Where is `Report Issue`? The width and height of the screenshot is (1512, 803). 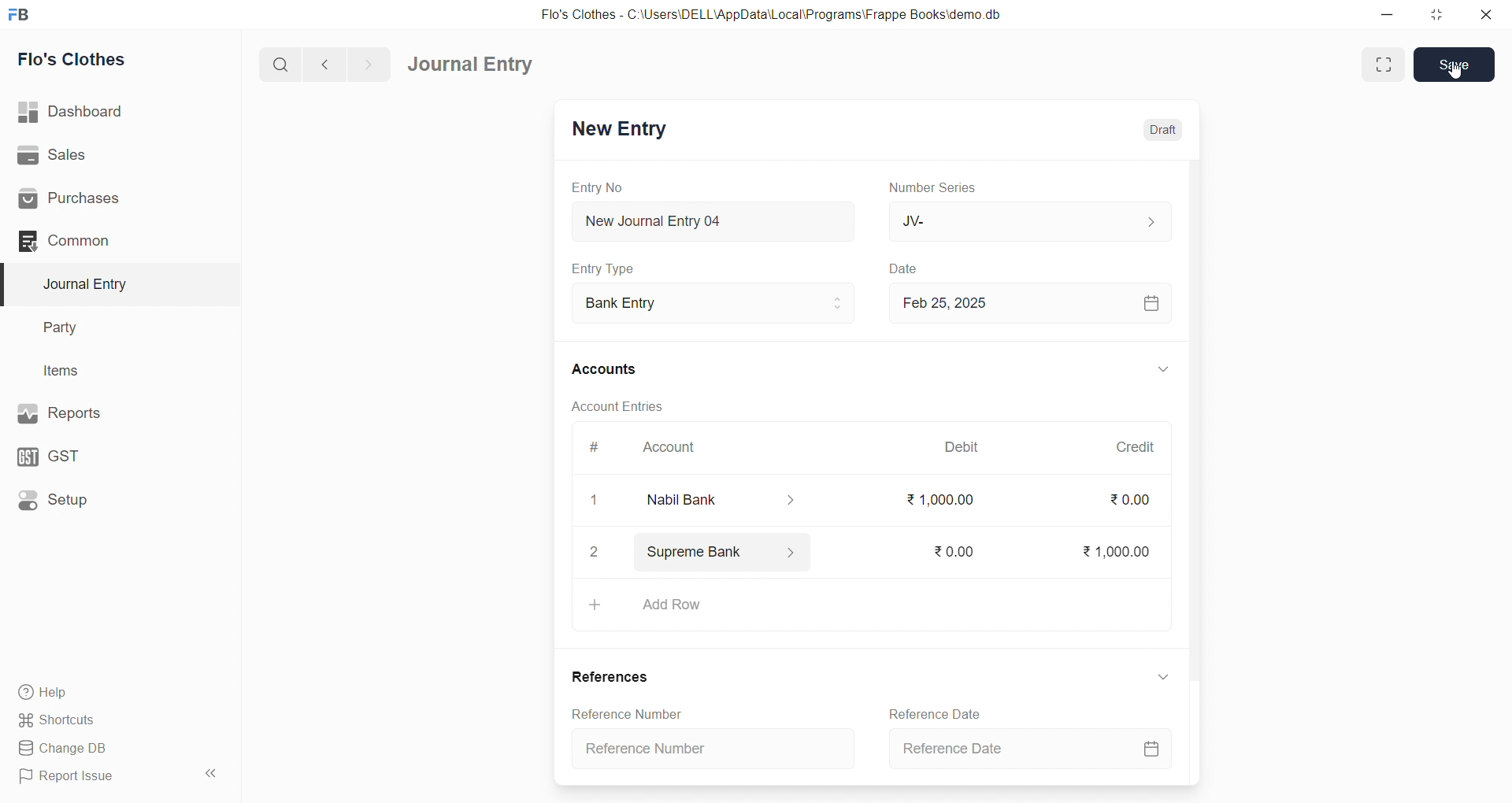 Report Issue is located at coordinates (98, 776).